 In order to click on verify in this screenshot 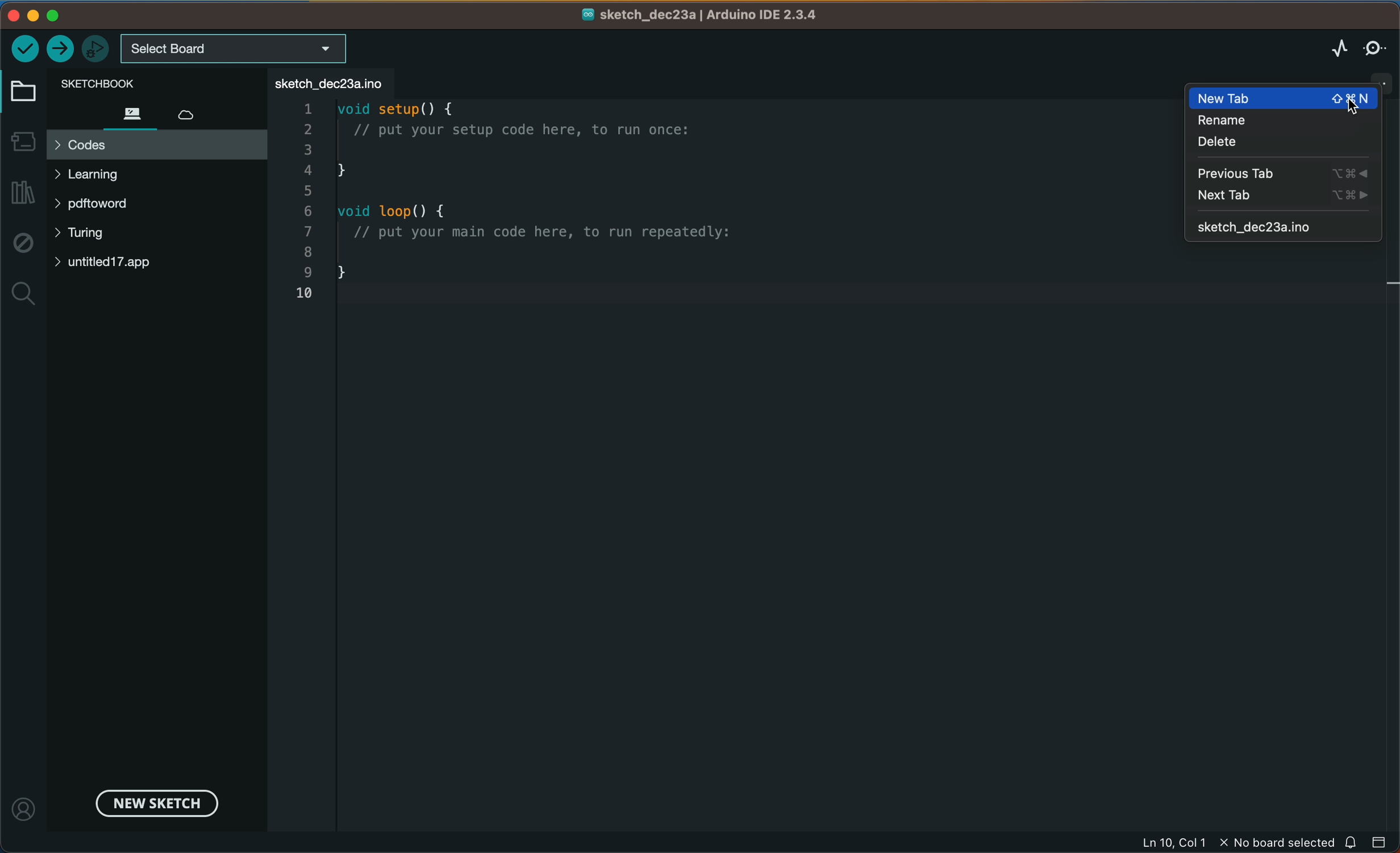, I will do `click(25, 47)`.